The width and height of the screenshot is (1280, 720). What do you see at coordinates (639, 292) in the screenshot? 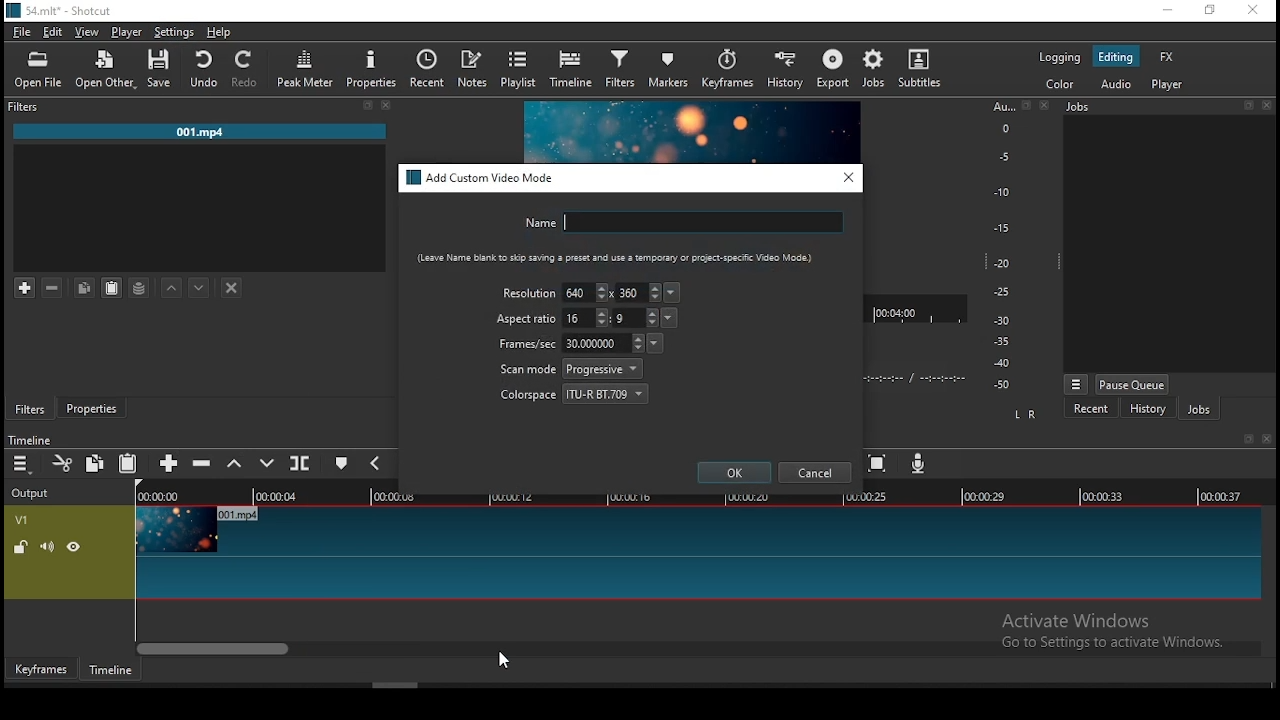
I see `height` at bounding box center [639, 292].